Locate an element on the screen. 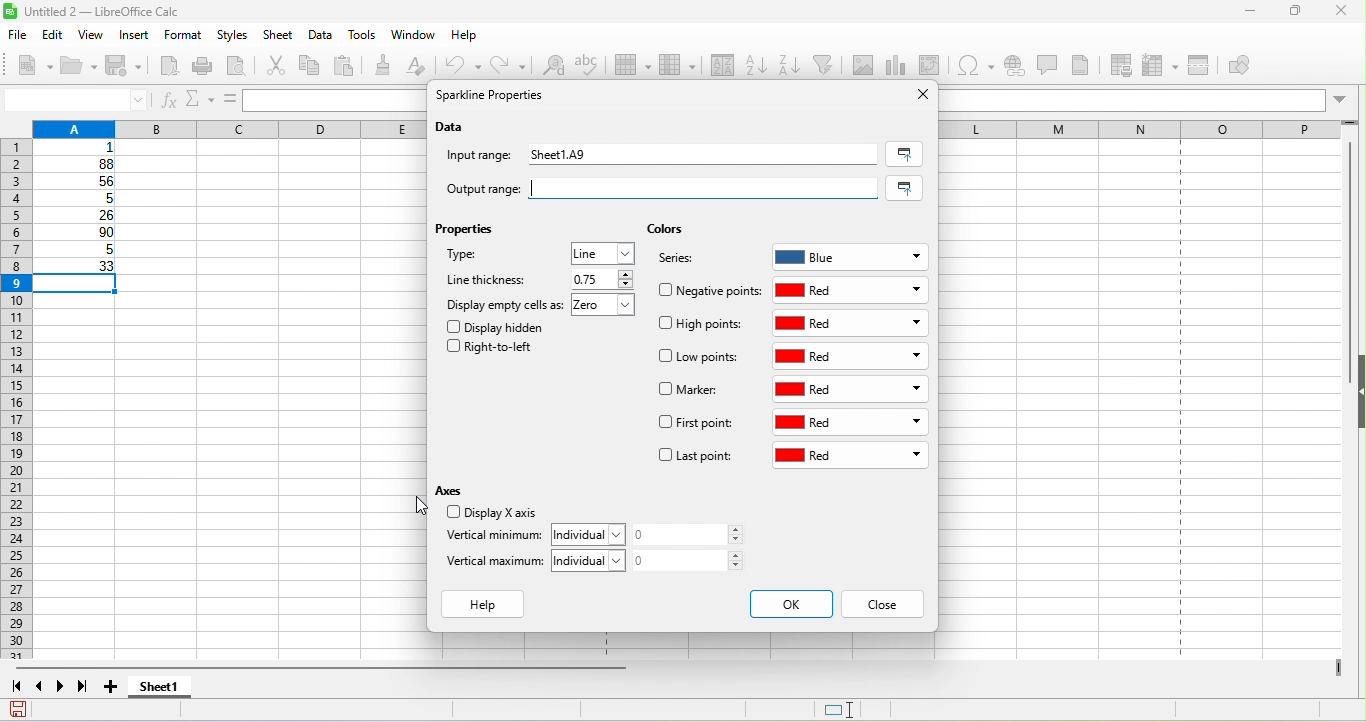 This screenshot has height=722, width=1366. last point is located at coordinates (695, 458).